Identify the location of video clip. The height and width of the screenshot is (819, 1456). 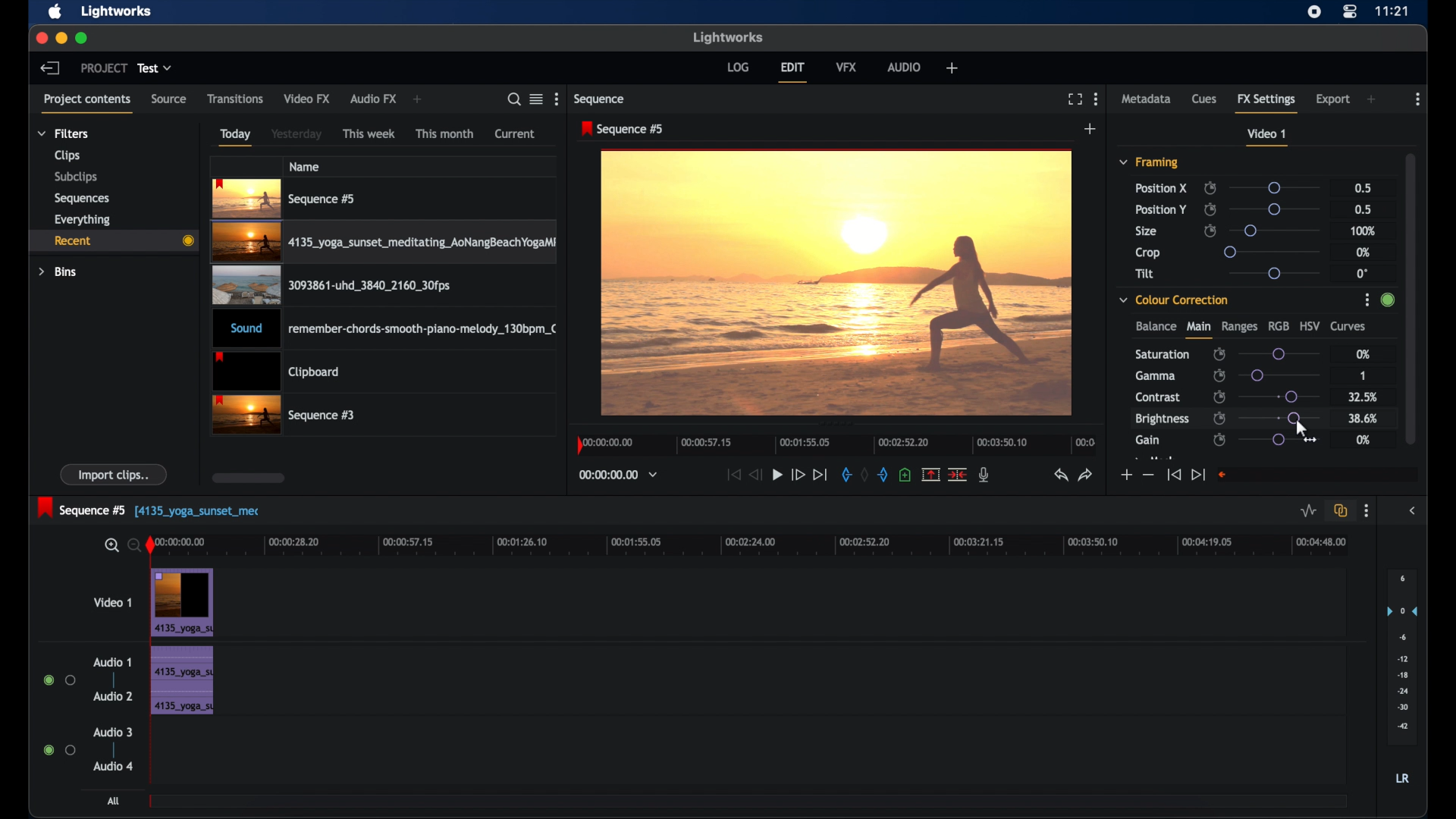
(329, 288).